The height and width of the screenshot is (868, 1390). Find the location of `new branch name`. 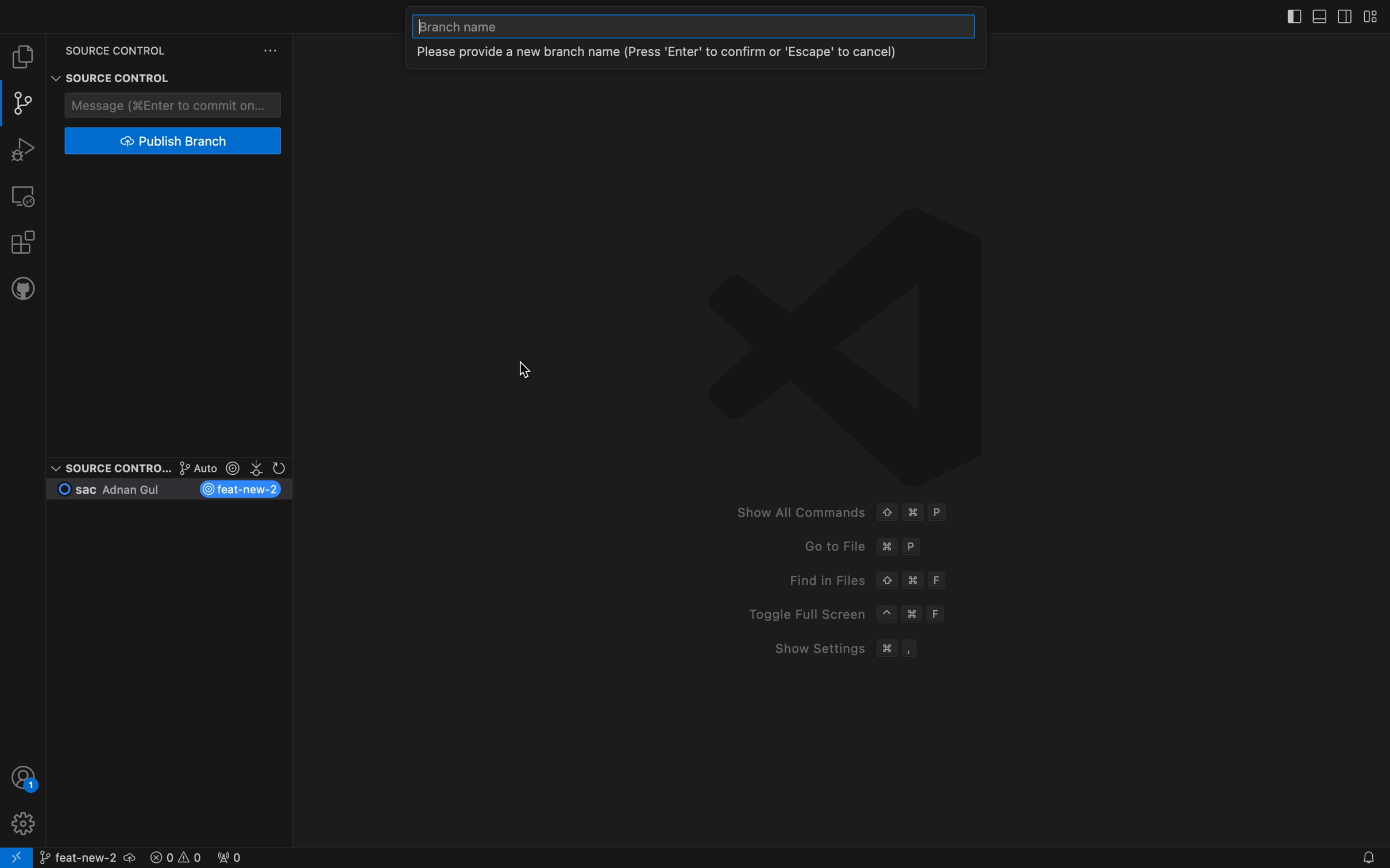

new branch name is located at coordinates (702, 26).